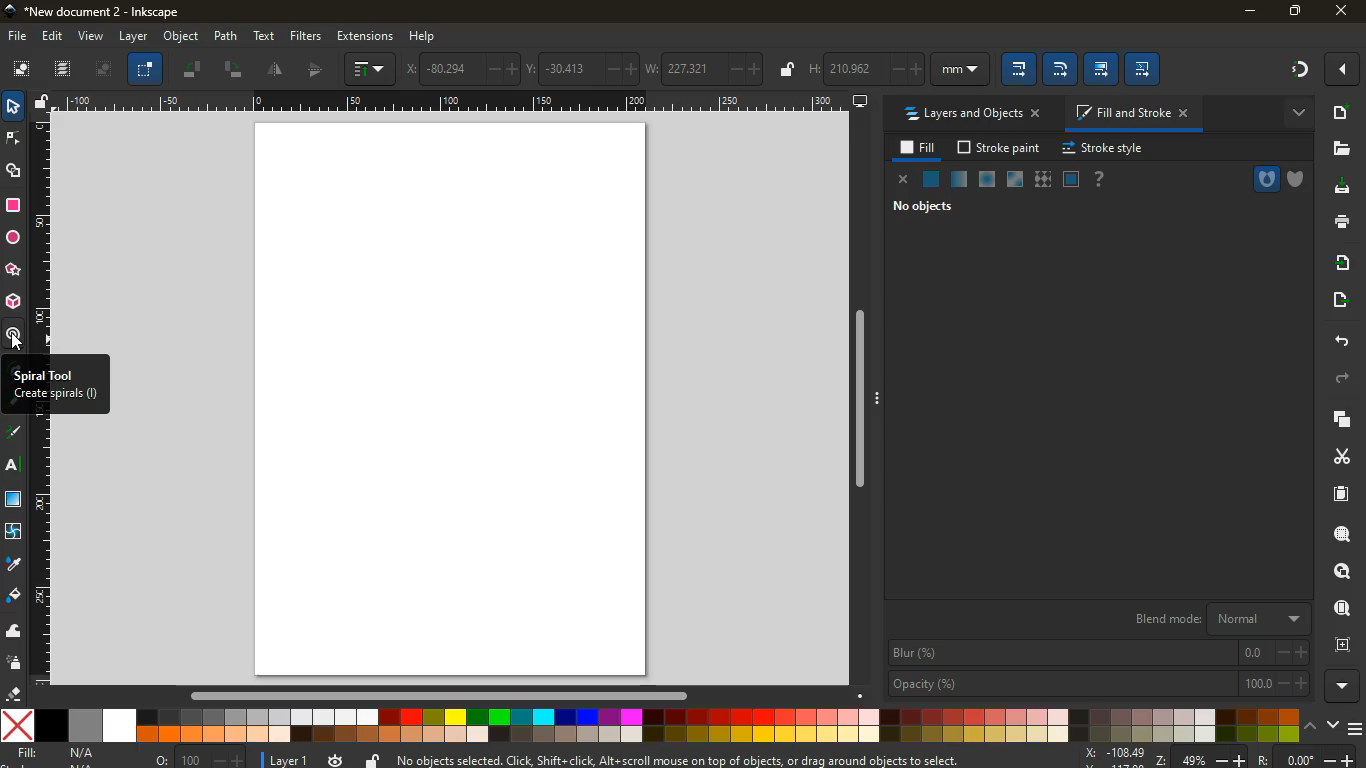 Image resolution: width=1366 pixels, height=768 pixels. I want to click on forward, so click(1347, 379).